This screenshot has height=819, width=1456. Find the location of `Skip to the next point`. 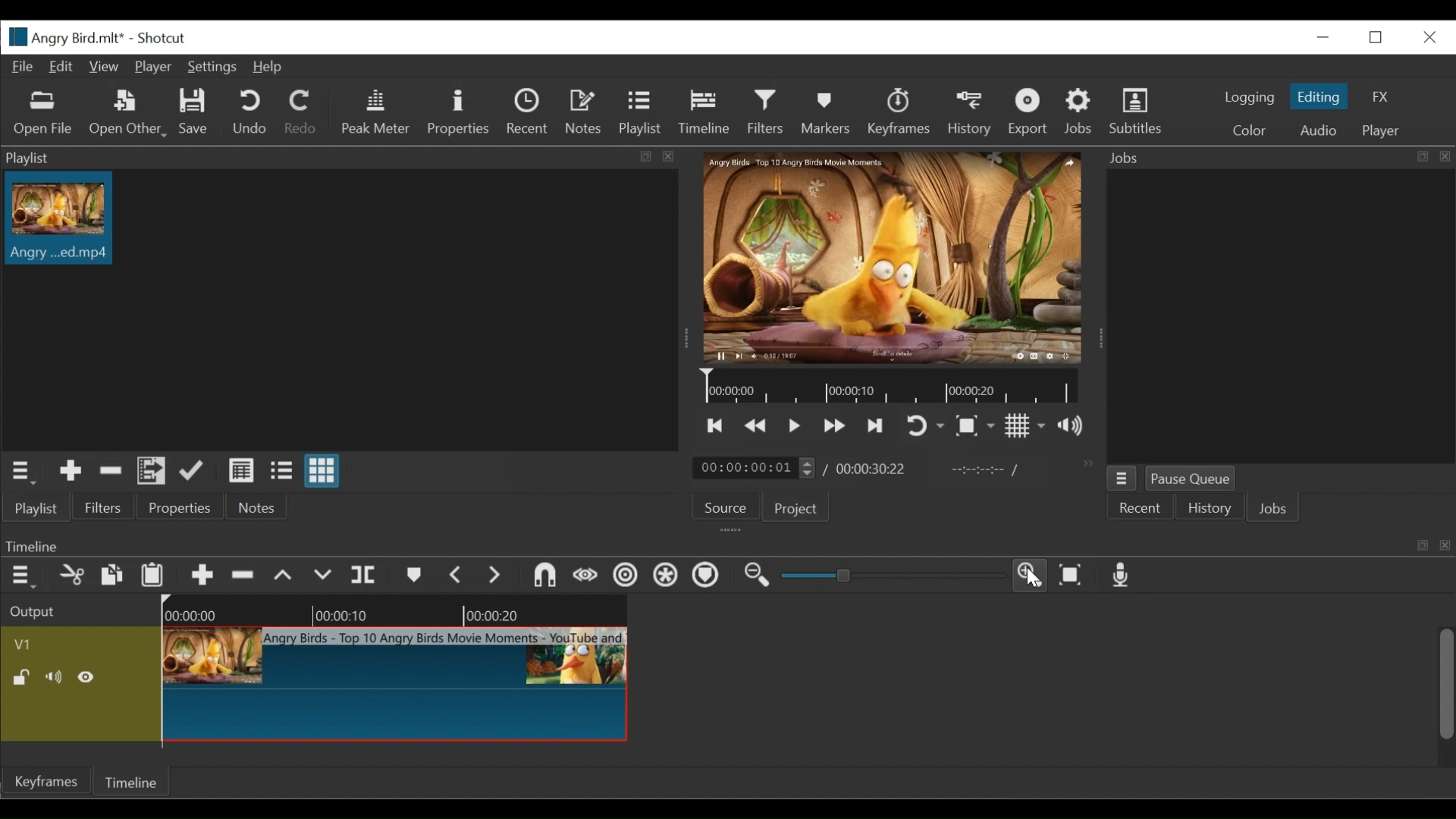

Skip to the next point is located at coordinates (876, 424).